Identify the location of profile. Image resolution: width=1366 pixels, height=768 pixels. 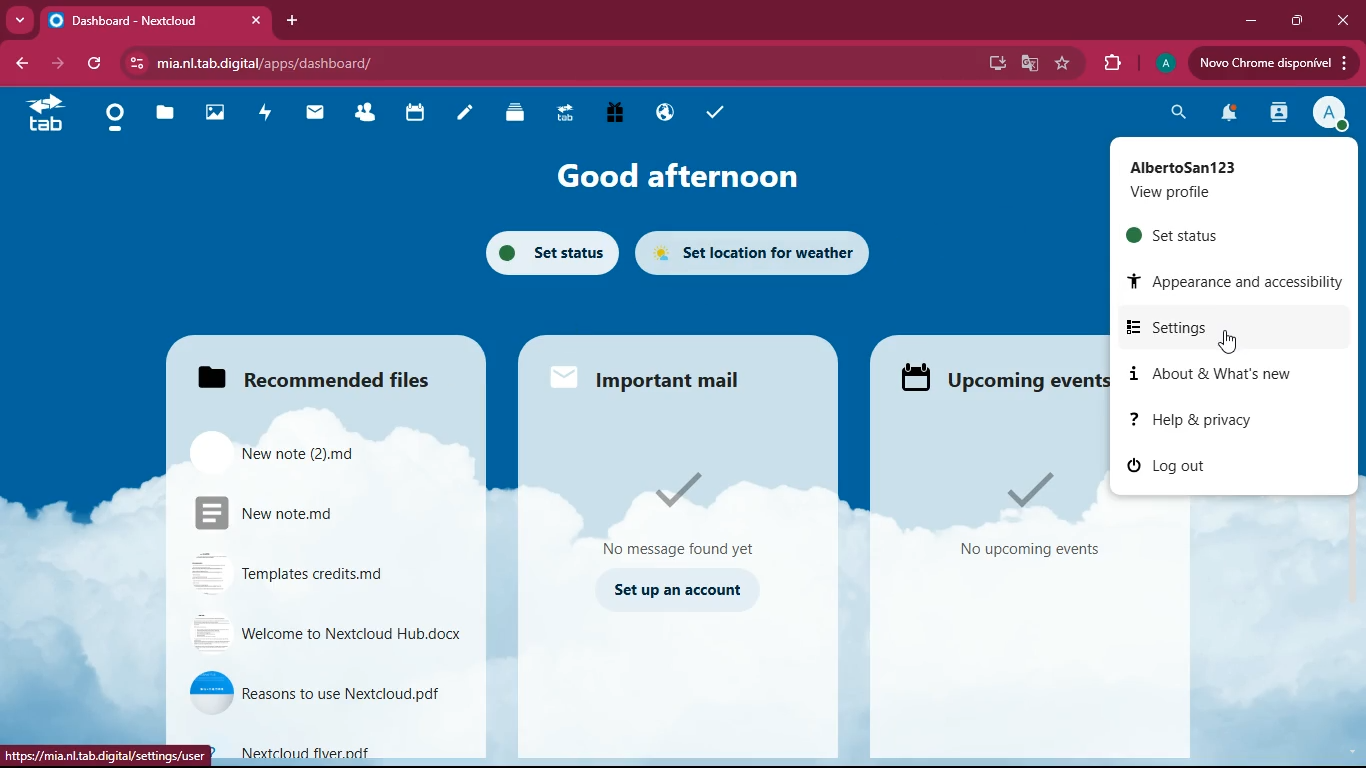
(1331, 113).